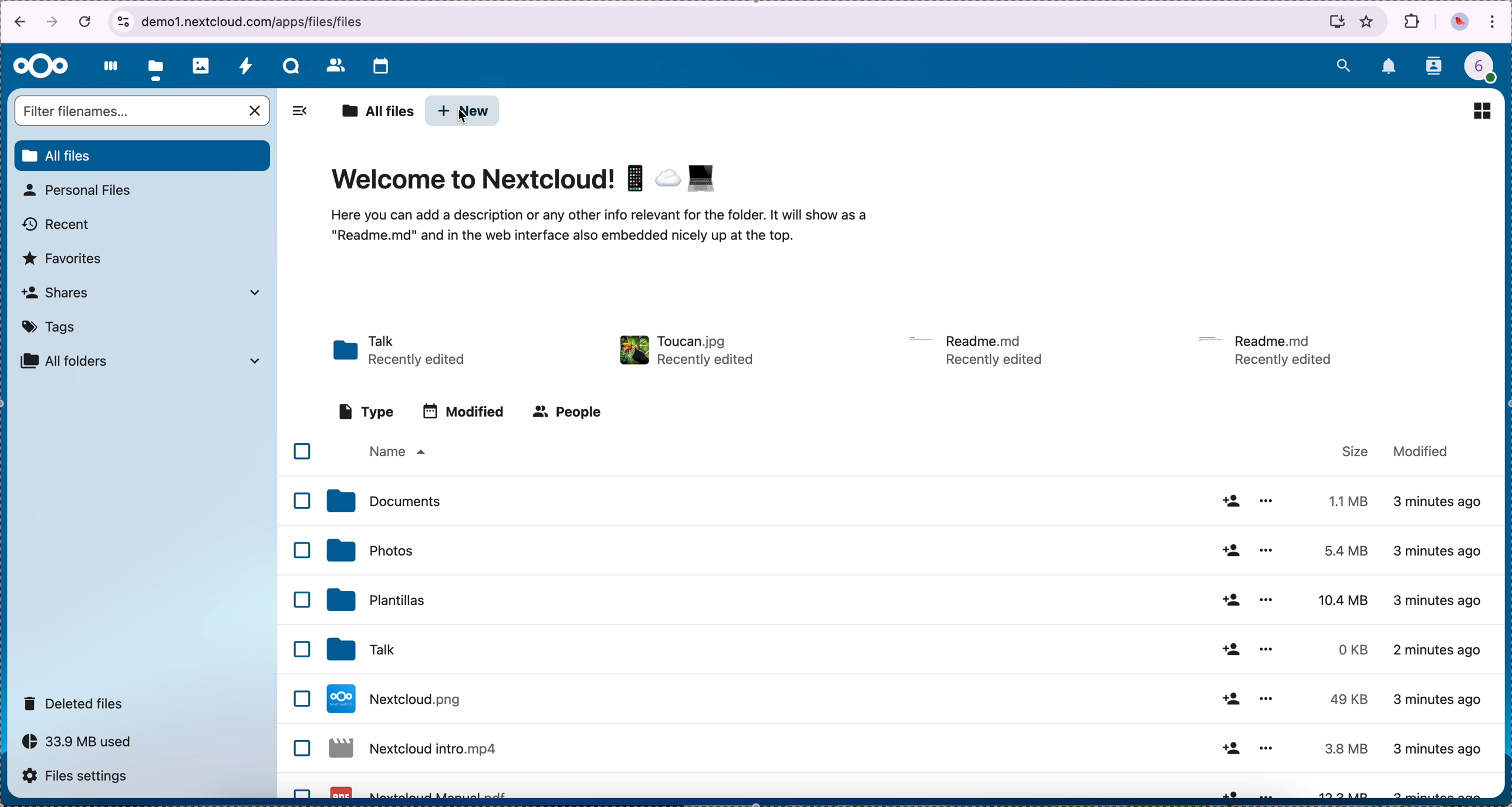  What do you see at coordinates (1355, 650) in the screenshot?
I see `0 KB` at bounding box center [1355, 650].